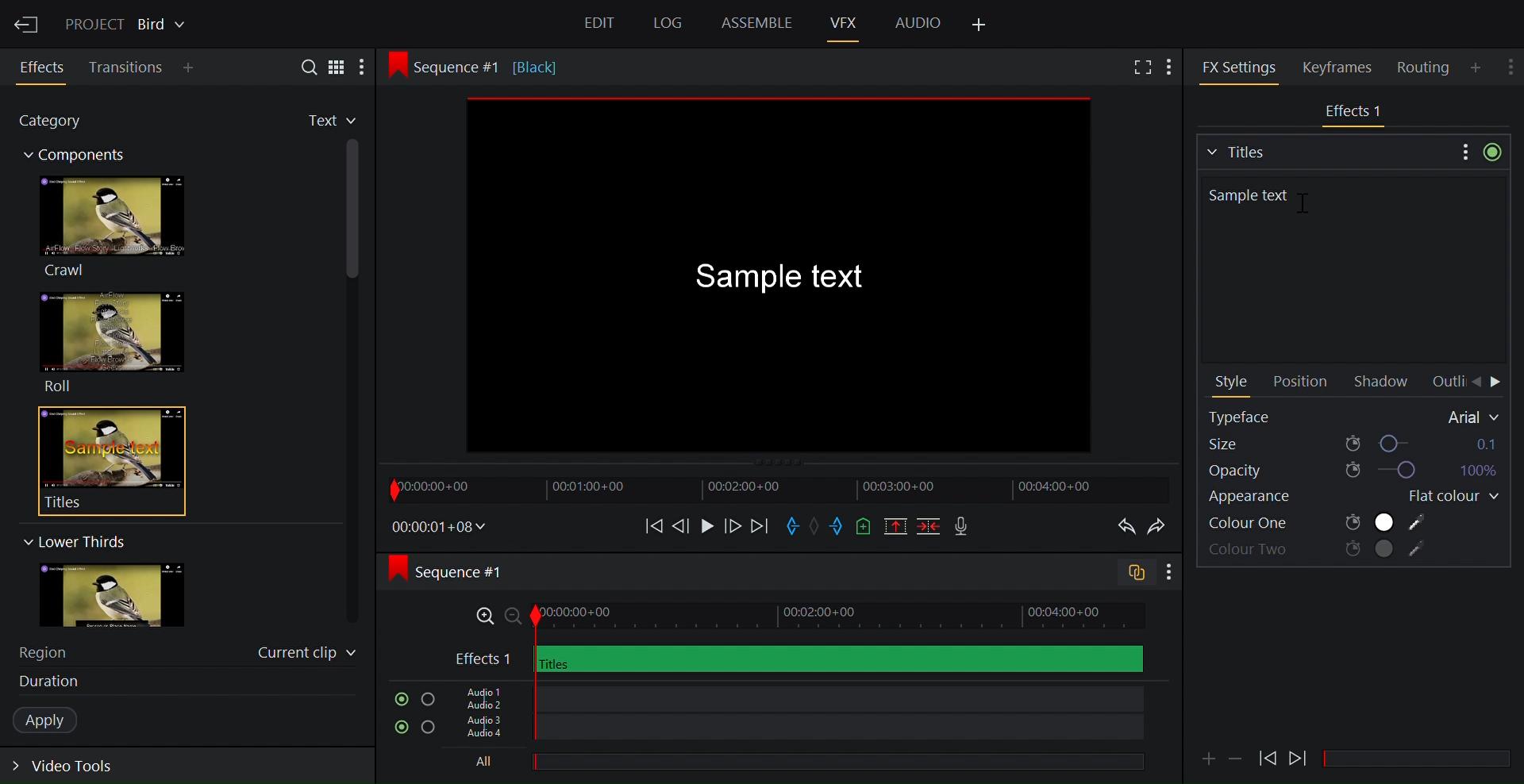 This screenshot has height=784, width=1524. I want to click on Nudge one frame backwards, so click(682, 525).